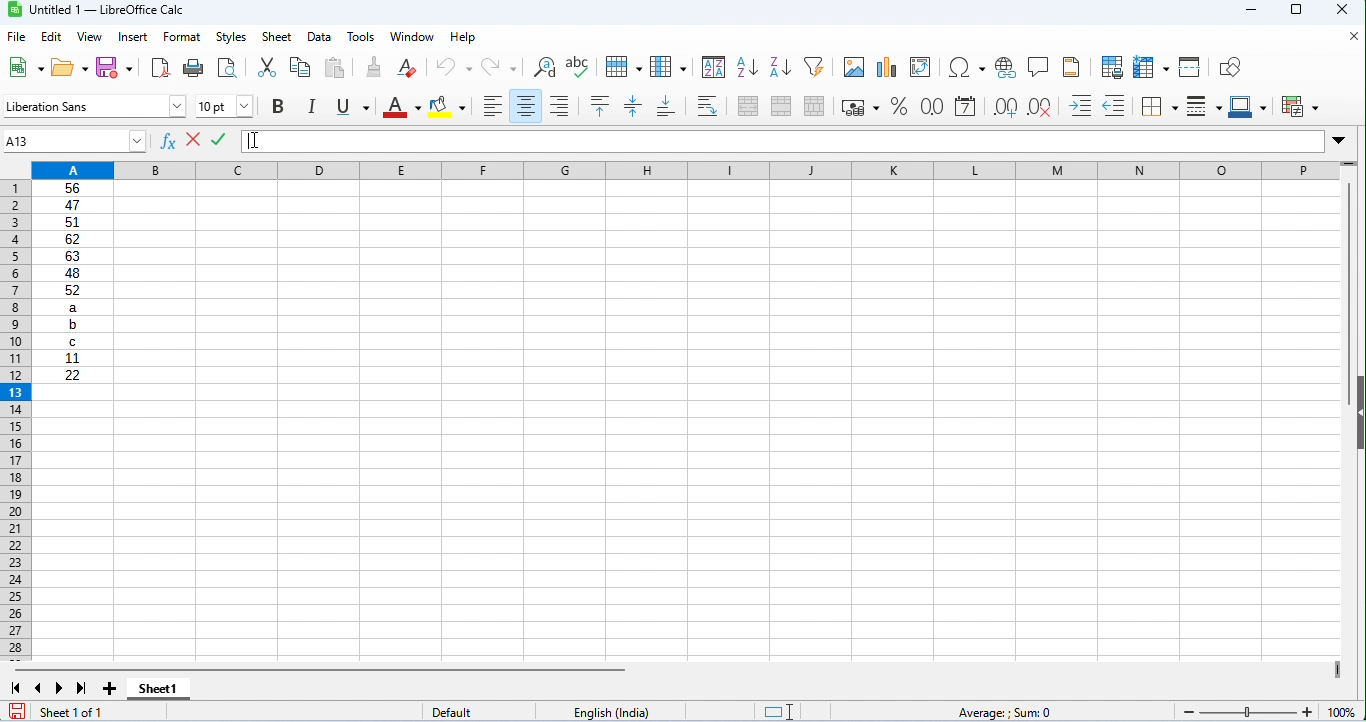  Describe the element at coordinates (885, 68) in the screenshot. I see `insert chart` at that location.